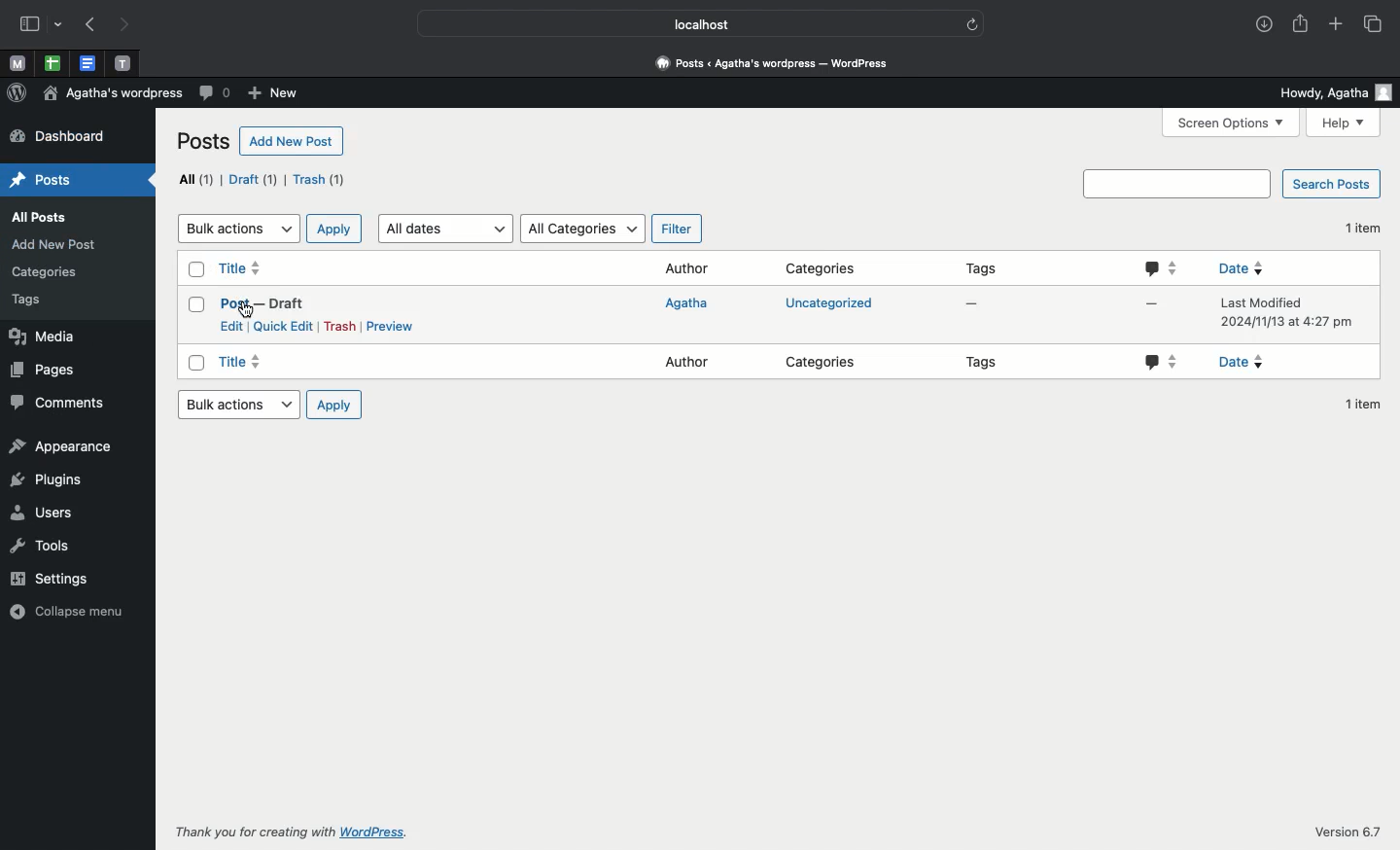 The image size is (1400, 850). Describe the element at coordinates (52, 302) in the screenshot. I see `tags` at that location.